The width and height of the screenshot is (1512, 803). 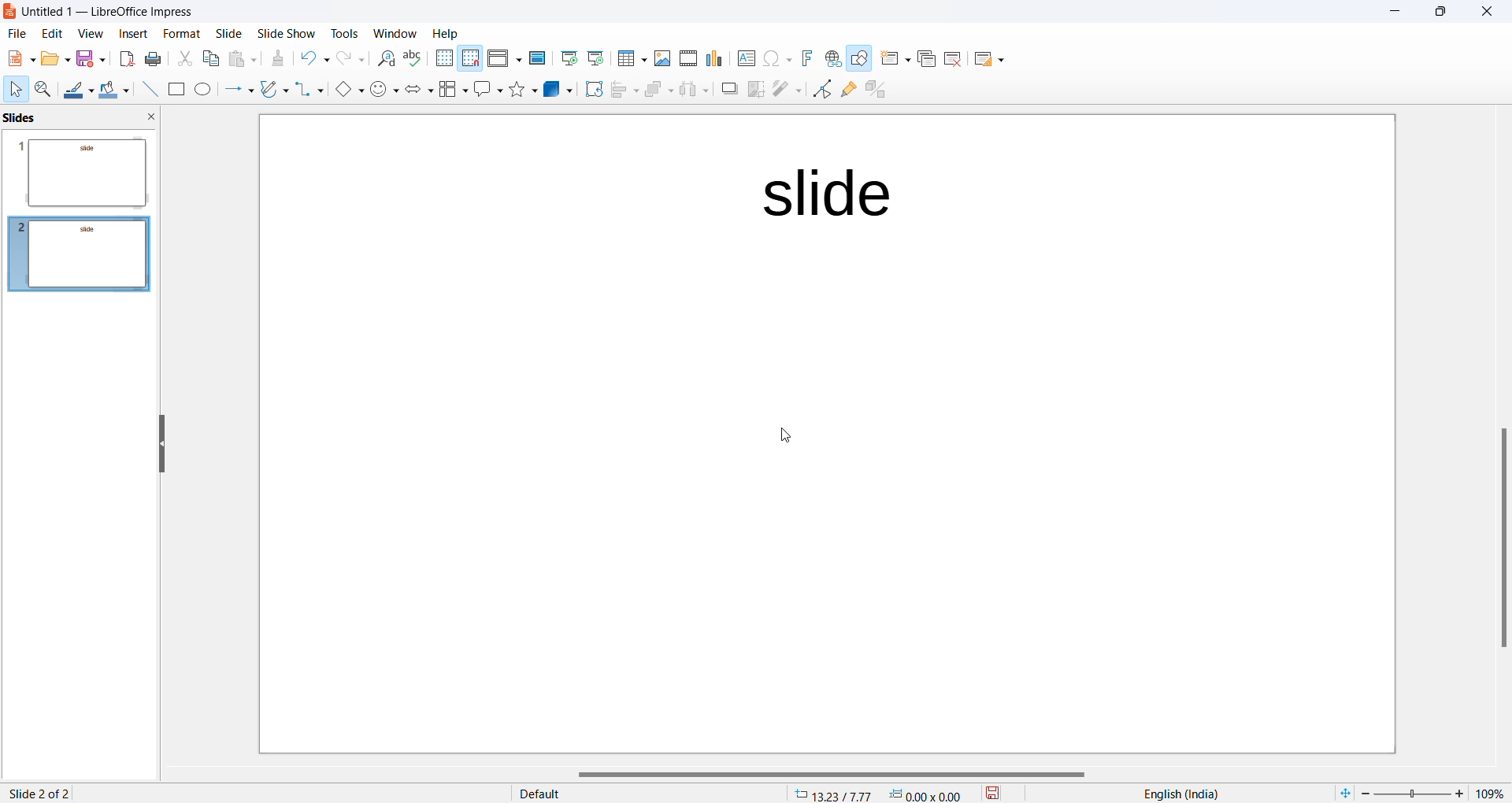 I want to click on dimension 0.00*0.00, so click(x=929, y=794).